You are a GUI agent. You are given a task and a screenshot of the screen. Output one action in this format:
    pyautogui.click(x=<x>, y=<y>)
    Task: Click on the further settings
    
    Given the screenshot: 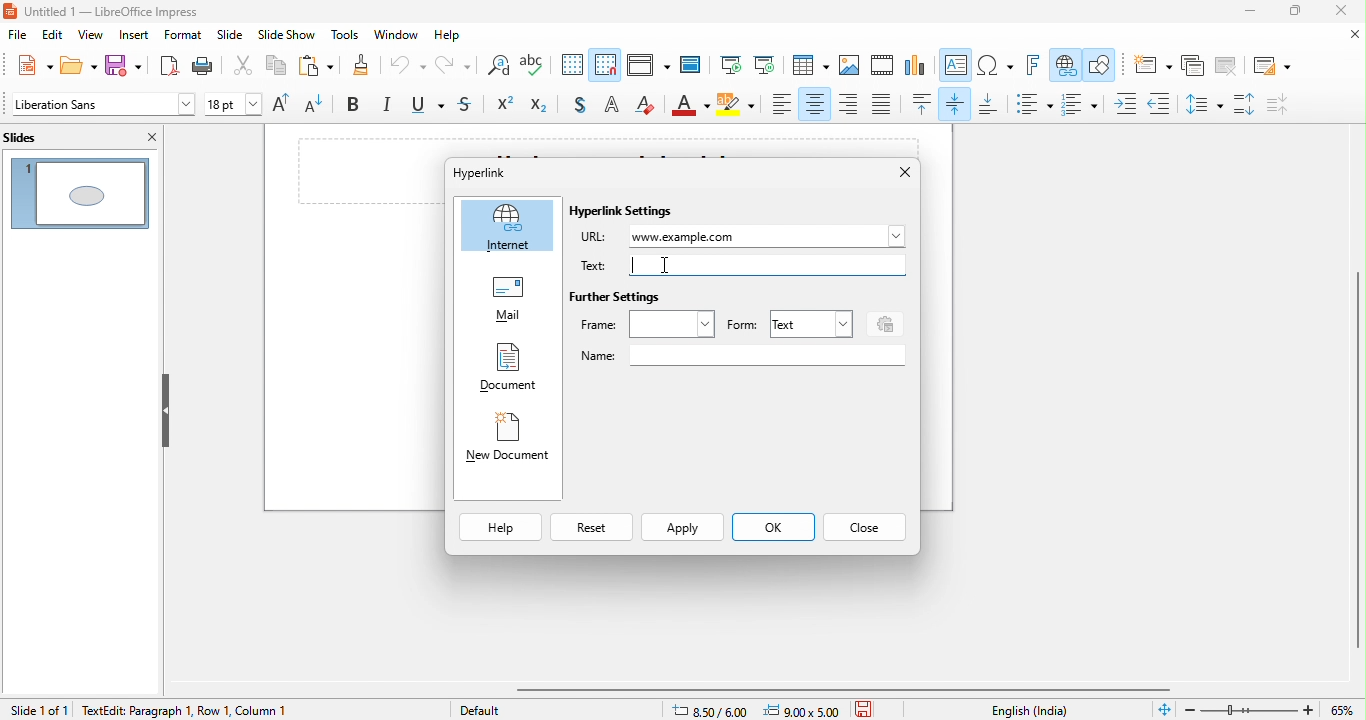 What is the action you would take?
    pyautogui.click(x=617, y=298)
    